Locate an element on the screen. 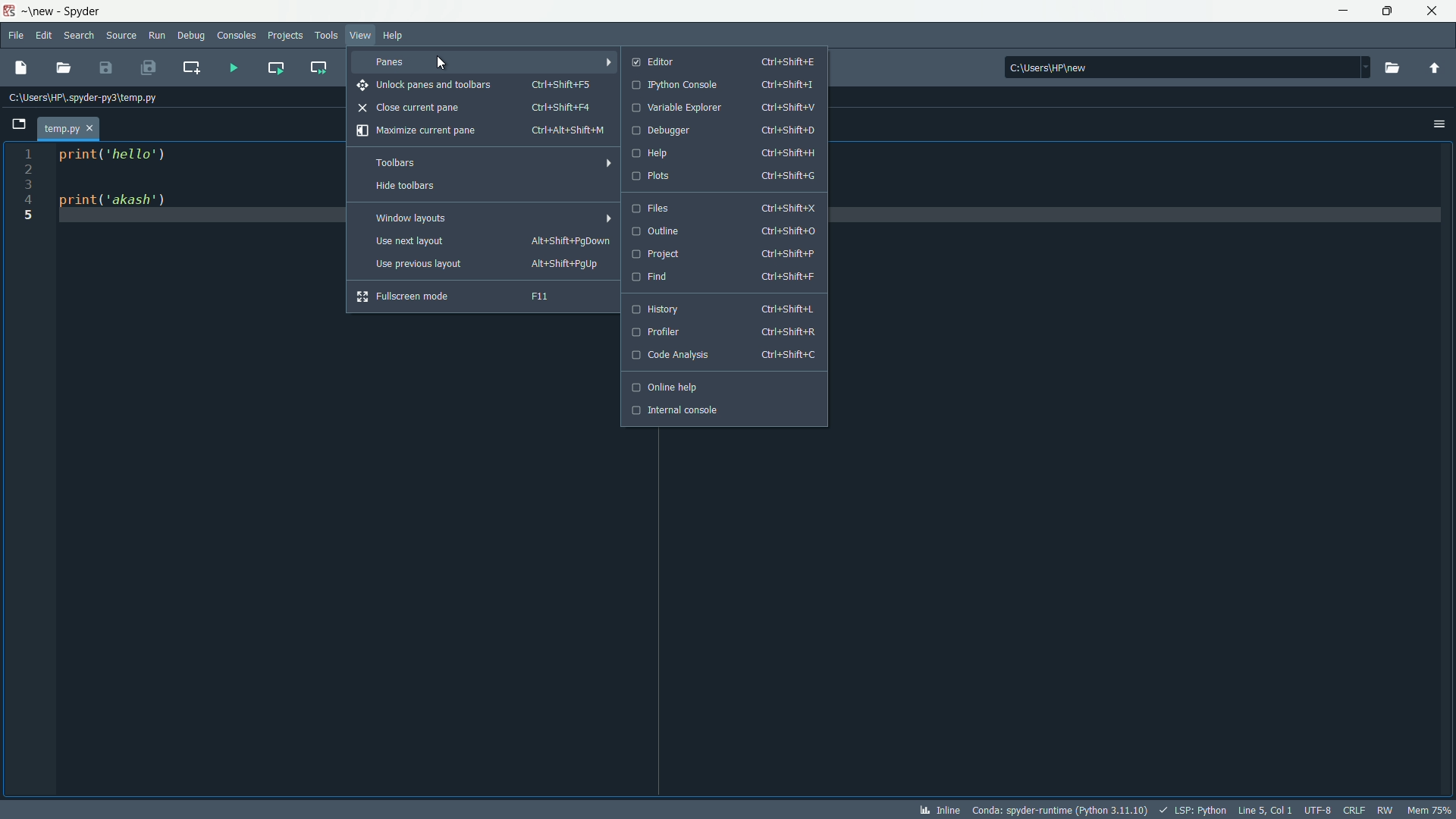 This screenshot has height=819, width=1456. view menu is located at coordinates (362, 34).